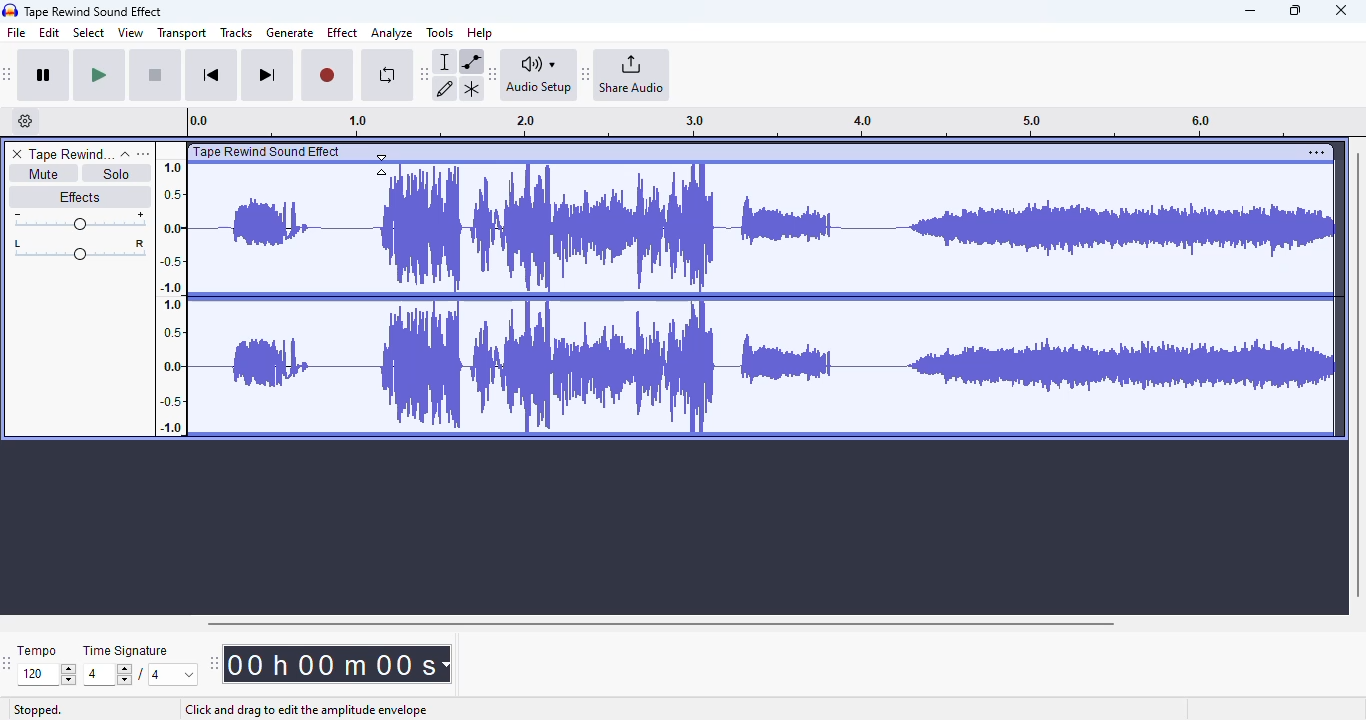  What do you see at coordinates (80, 250) in the screenshot?
I see `Pan left/right` at bounding box center [80, 250].